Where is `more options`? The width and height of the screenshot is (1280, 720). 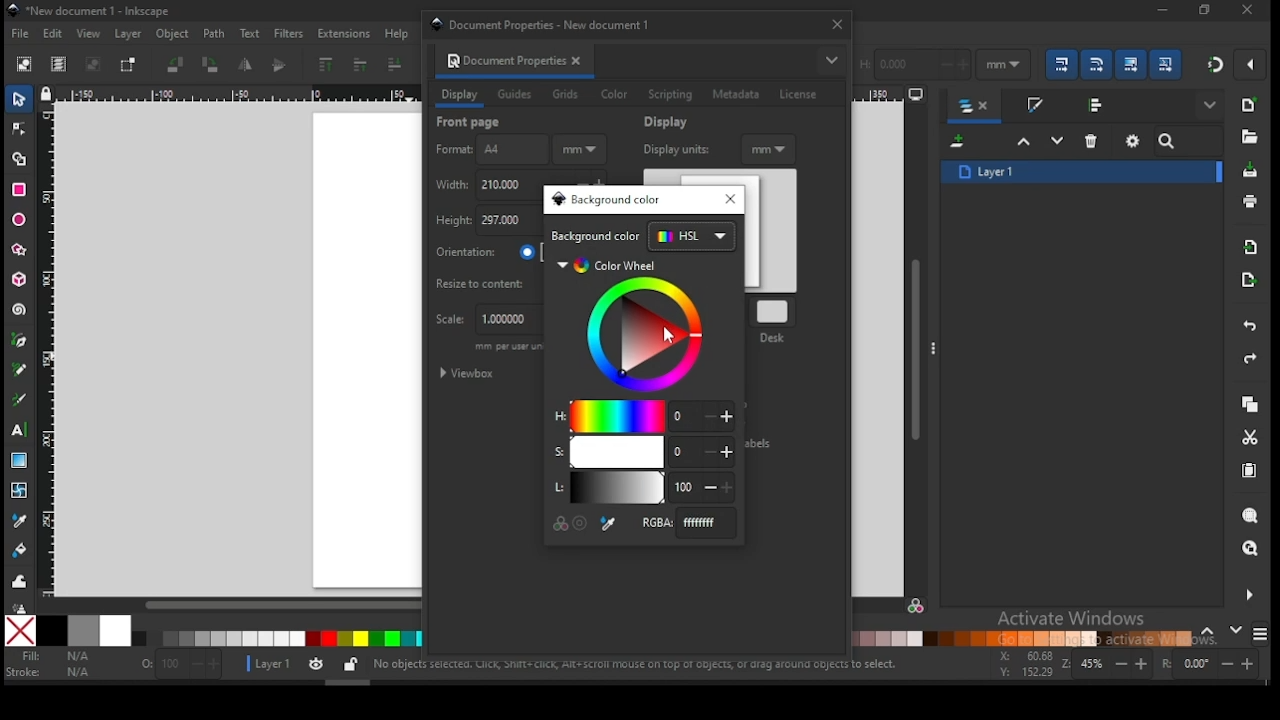
more options is located at coordinates (933, 347).